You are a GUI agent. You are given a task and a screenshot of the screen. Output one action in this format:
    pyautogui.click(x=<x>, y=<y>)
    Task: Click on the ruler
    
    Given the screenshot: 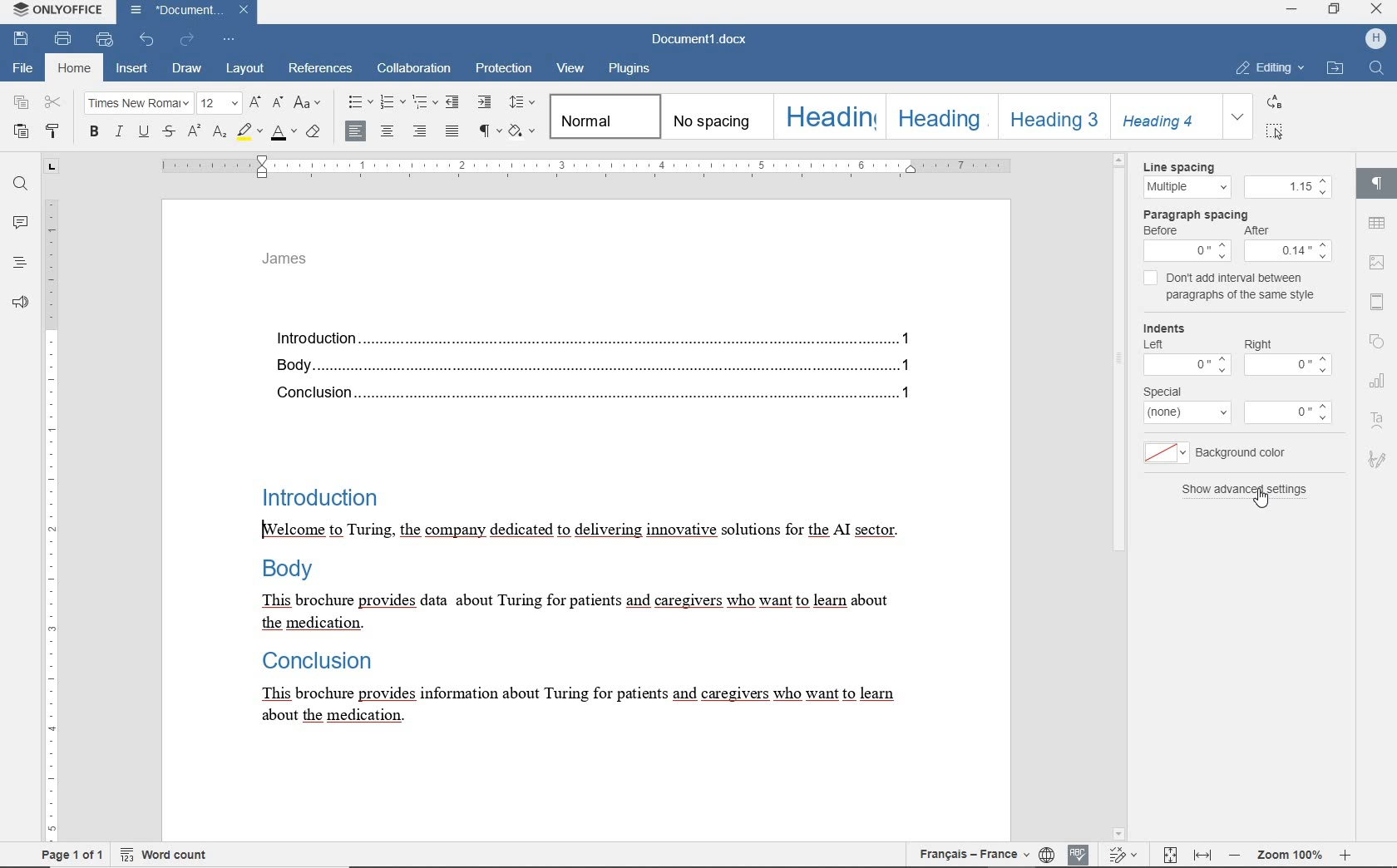 What is the action you would take?
    pyautogui.click(x=593, y=167)
    